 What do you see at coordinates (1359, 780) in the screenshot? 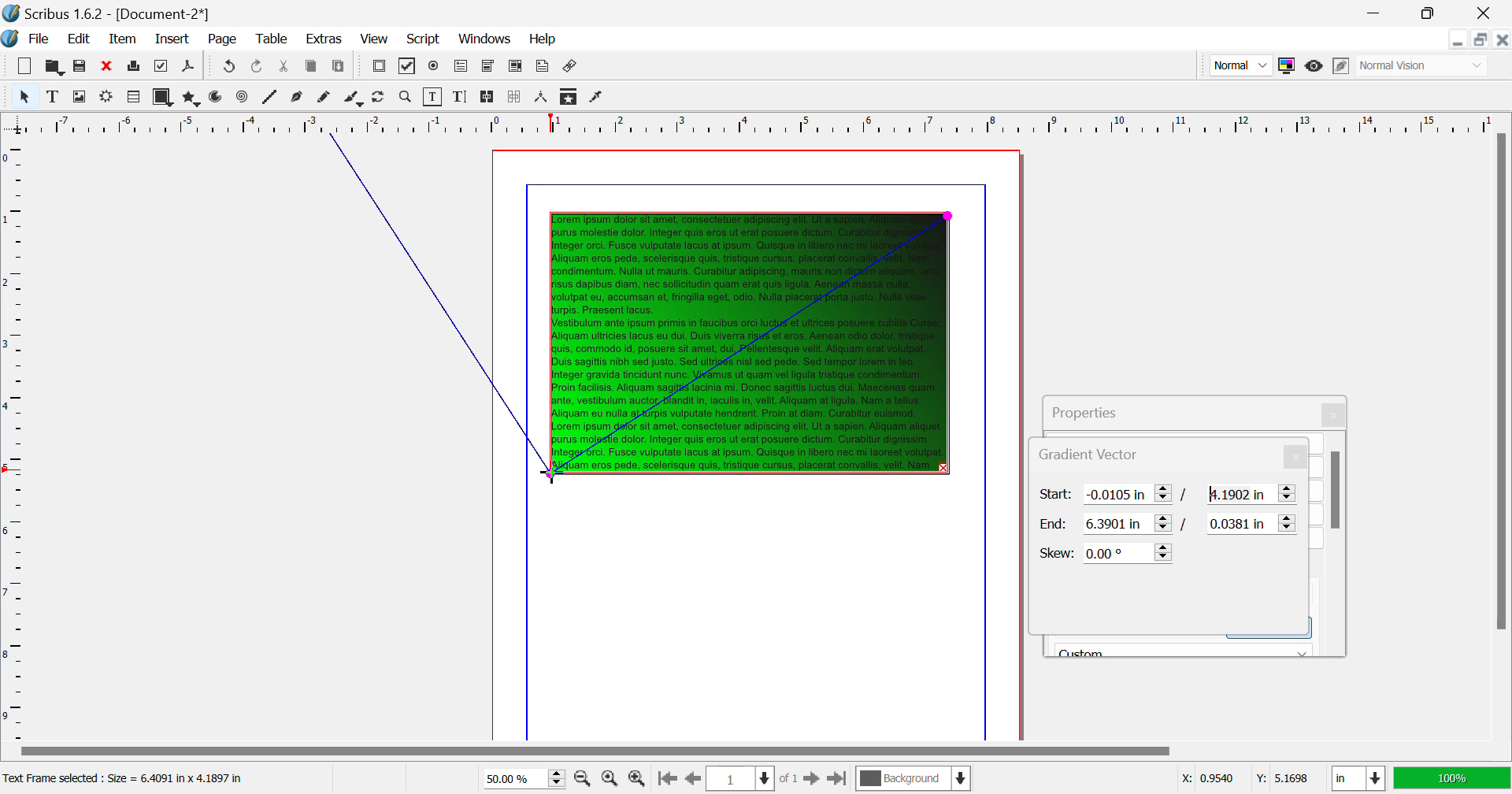
I see `Measurement Units` at bounding box center [1359, 780].